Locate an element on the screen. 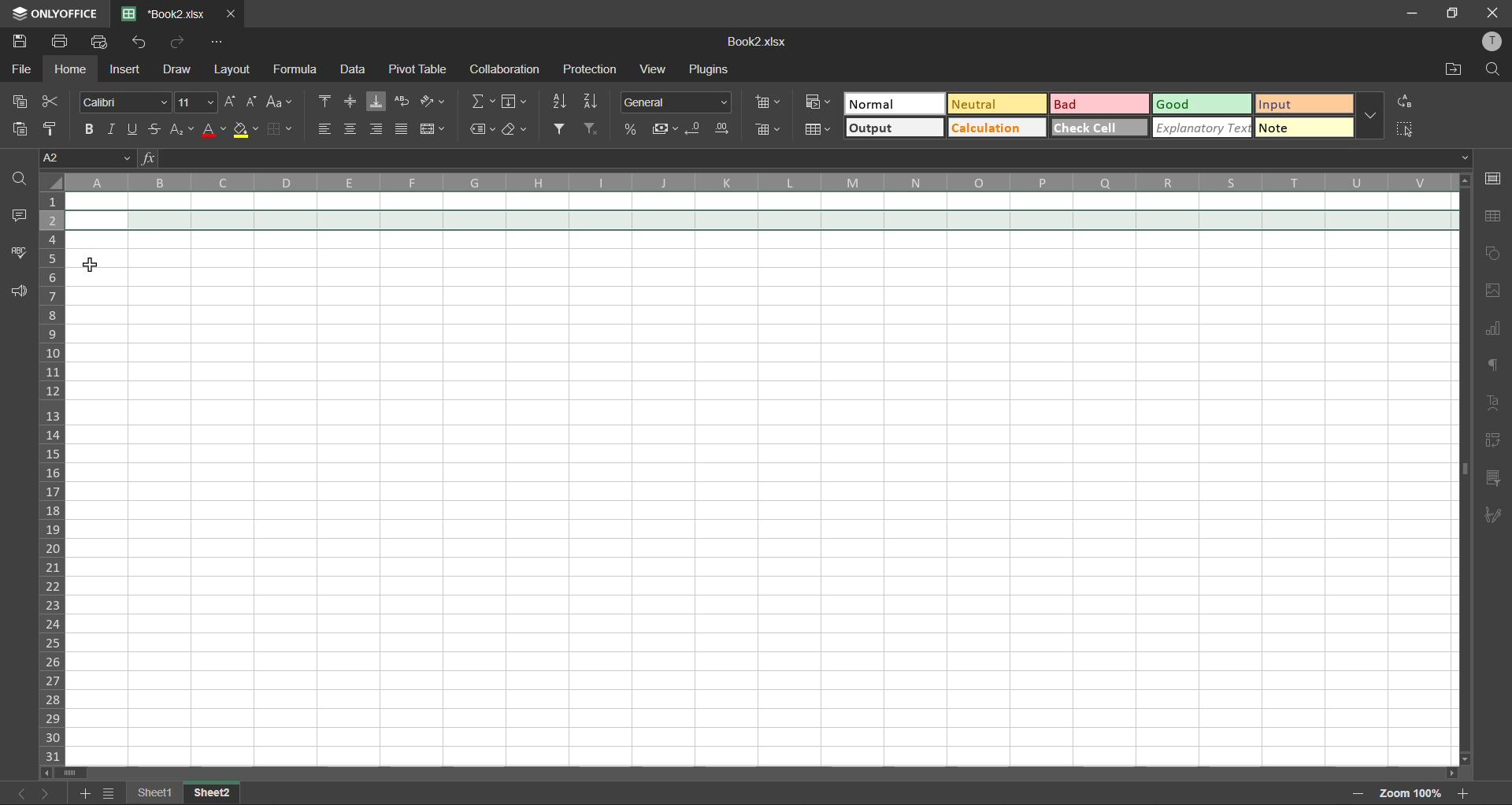 This screenshot has width=1512, height=805. named ranges is located at coordinates (482, 129).